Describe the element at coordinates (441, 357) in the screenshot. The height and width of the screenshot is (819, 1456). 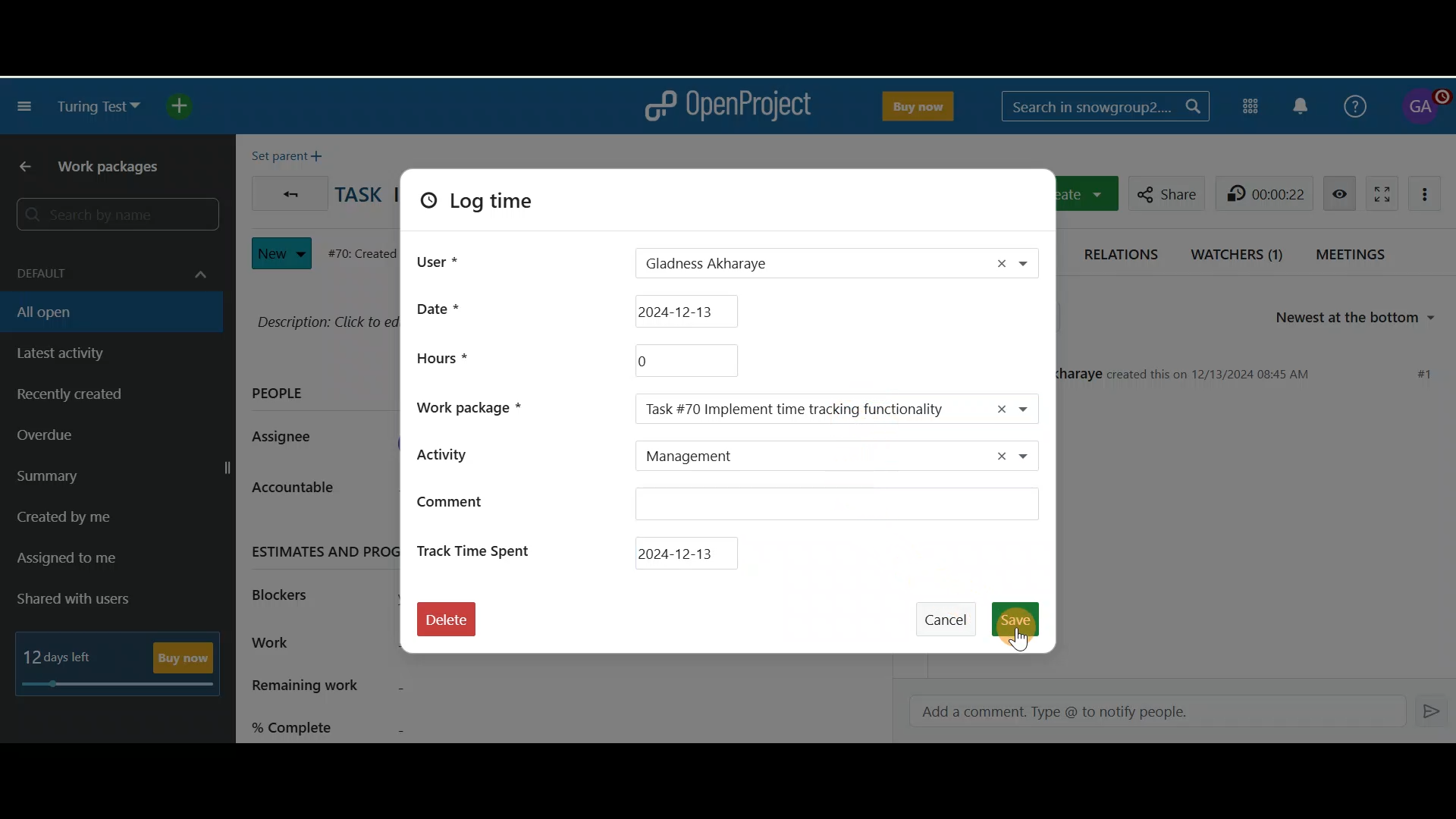
I see `Hours` at that location.